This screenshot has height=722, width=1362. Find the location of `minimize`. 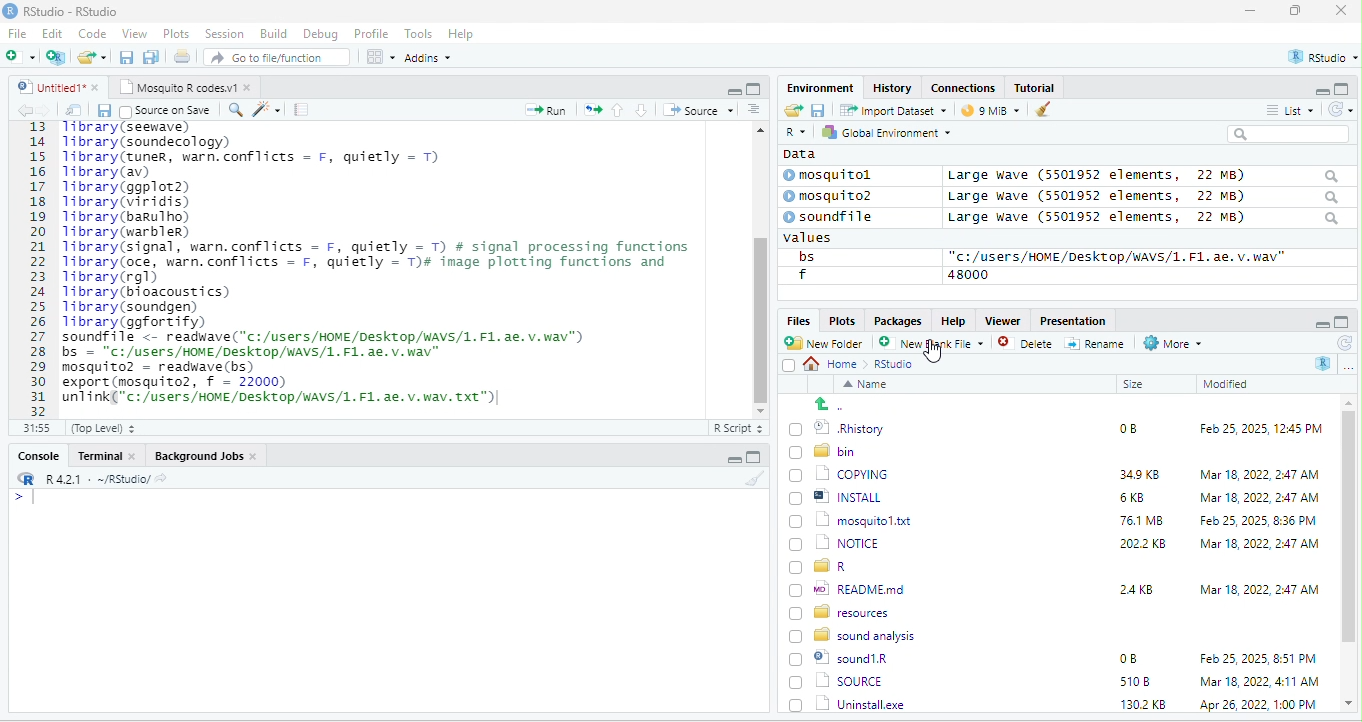

minimize is located at coordinates (1320, 323).